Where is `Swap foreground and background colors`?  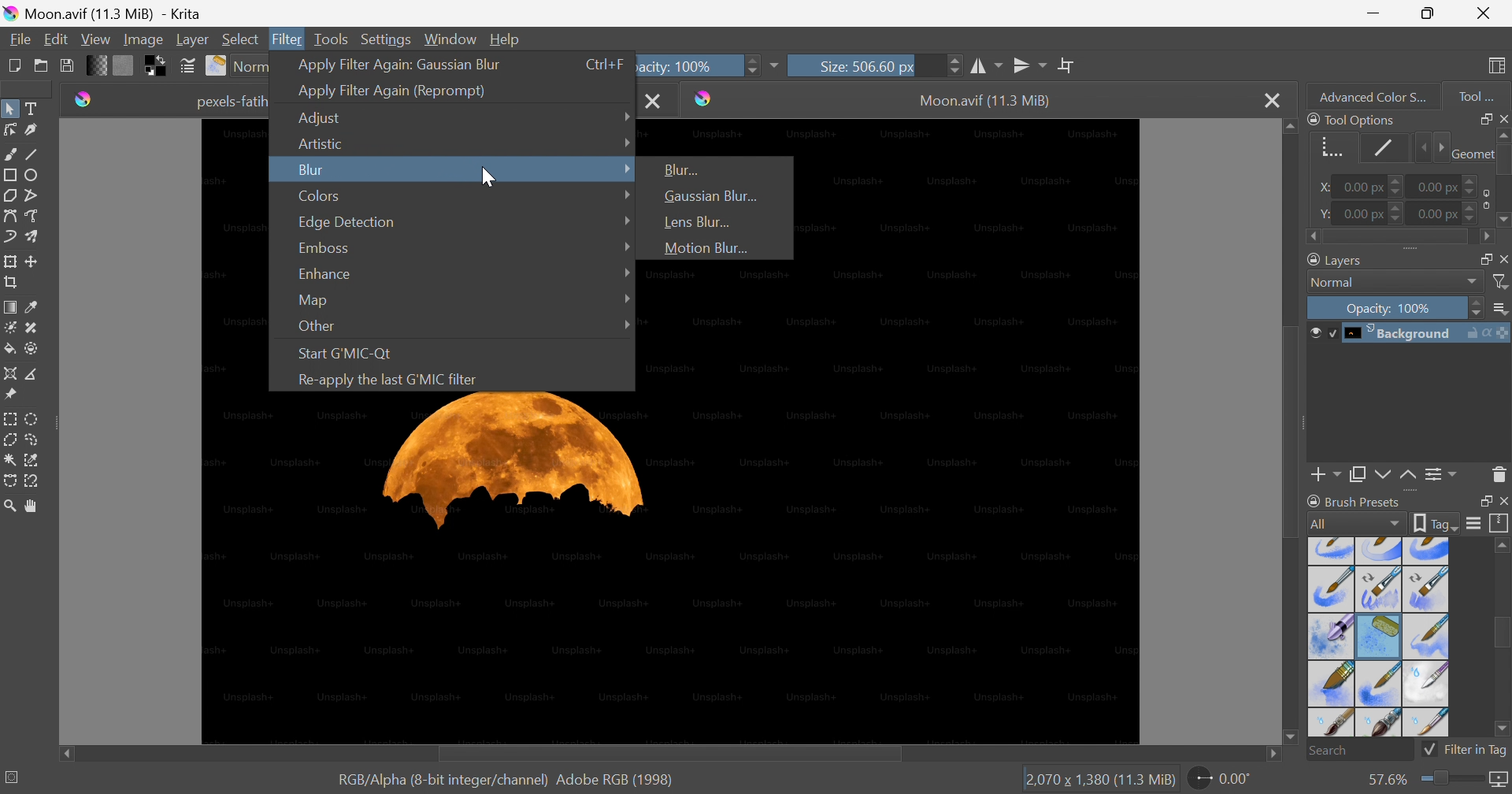 Swap foreground and background colors is located at coordinates (158, 66).